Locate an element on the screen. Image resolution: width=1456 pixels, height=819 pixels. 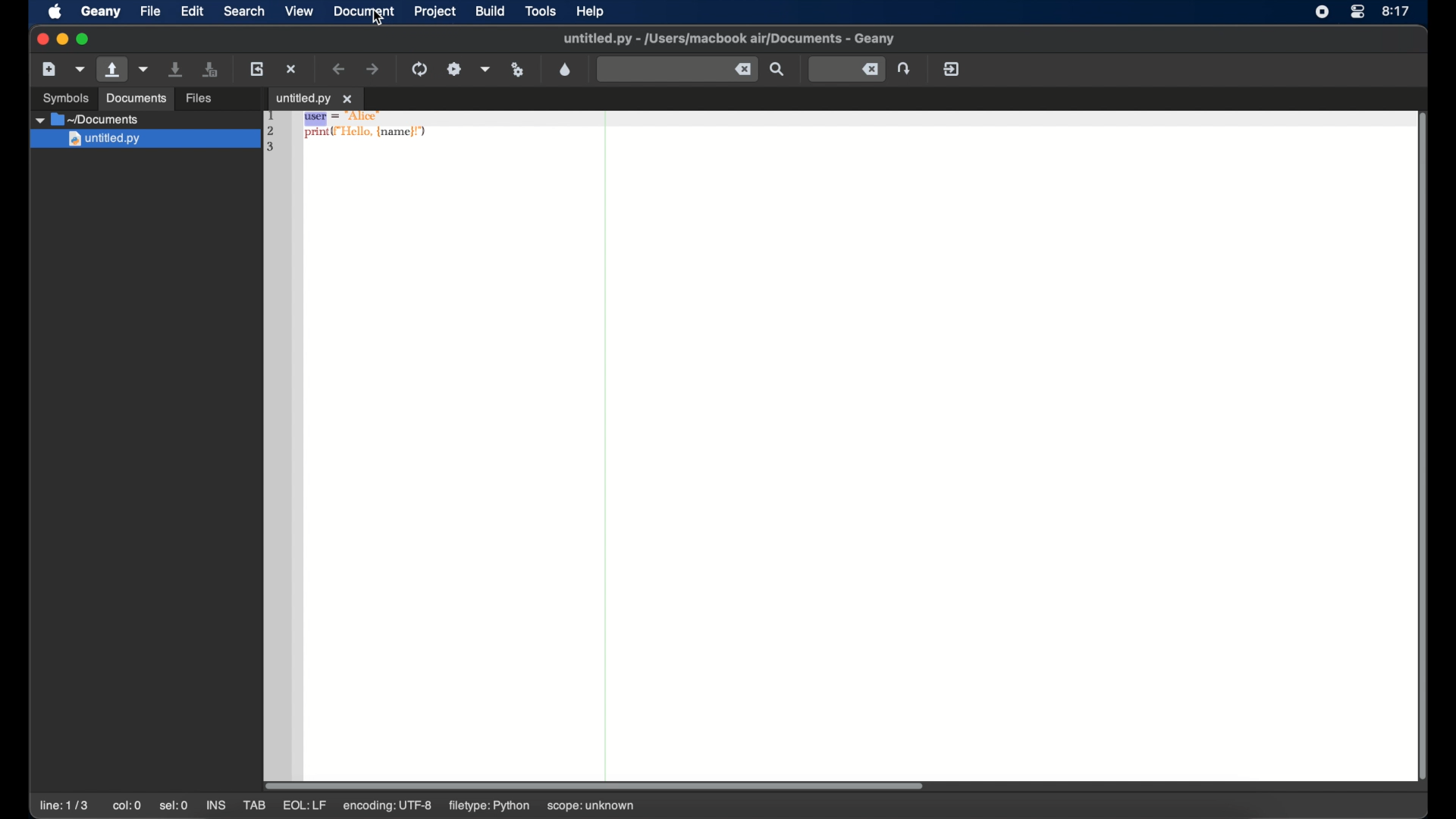
eql: lf is located at coordinates (388, 805).